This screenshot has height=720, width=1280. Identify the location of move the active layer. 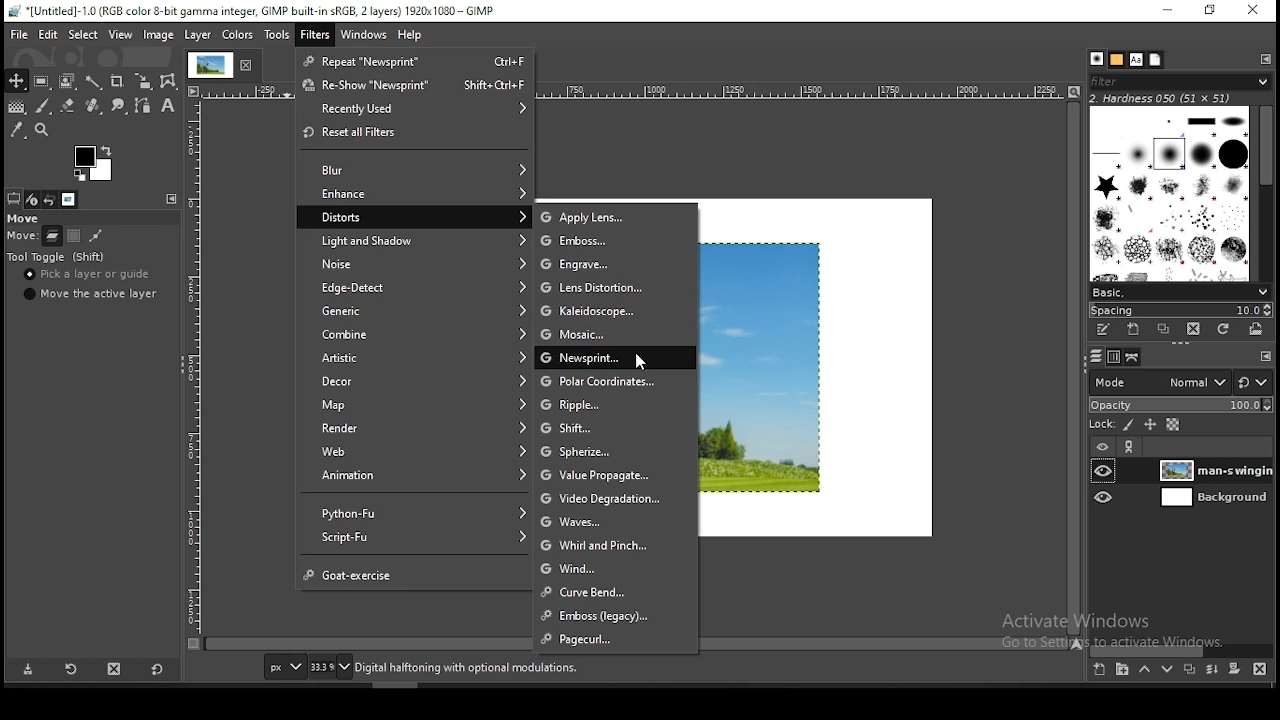
(92, 294).